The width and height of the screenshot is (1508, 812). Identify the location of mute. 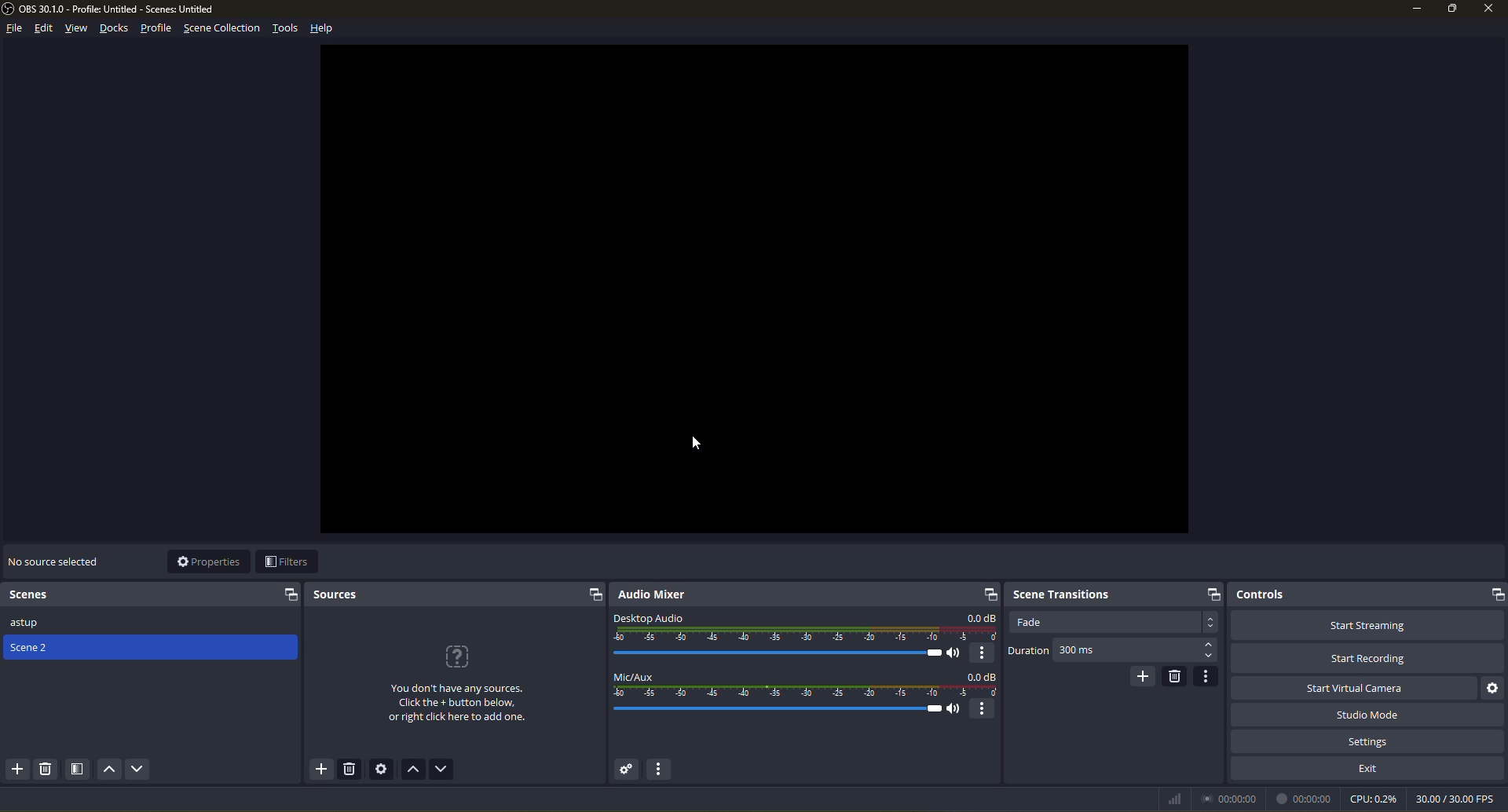
(955, 708).